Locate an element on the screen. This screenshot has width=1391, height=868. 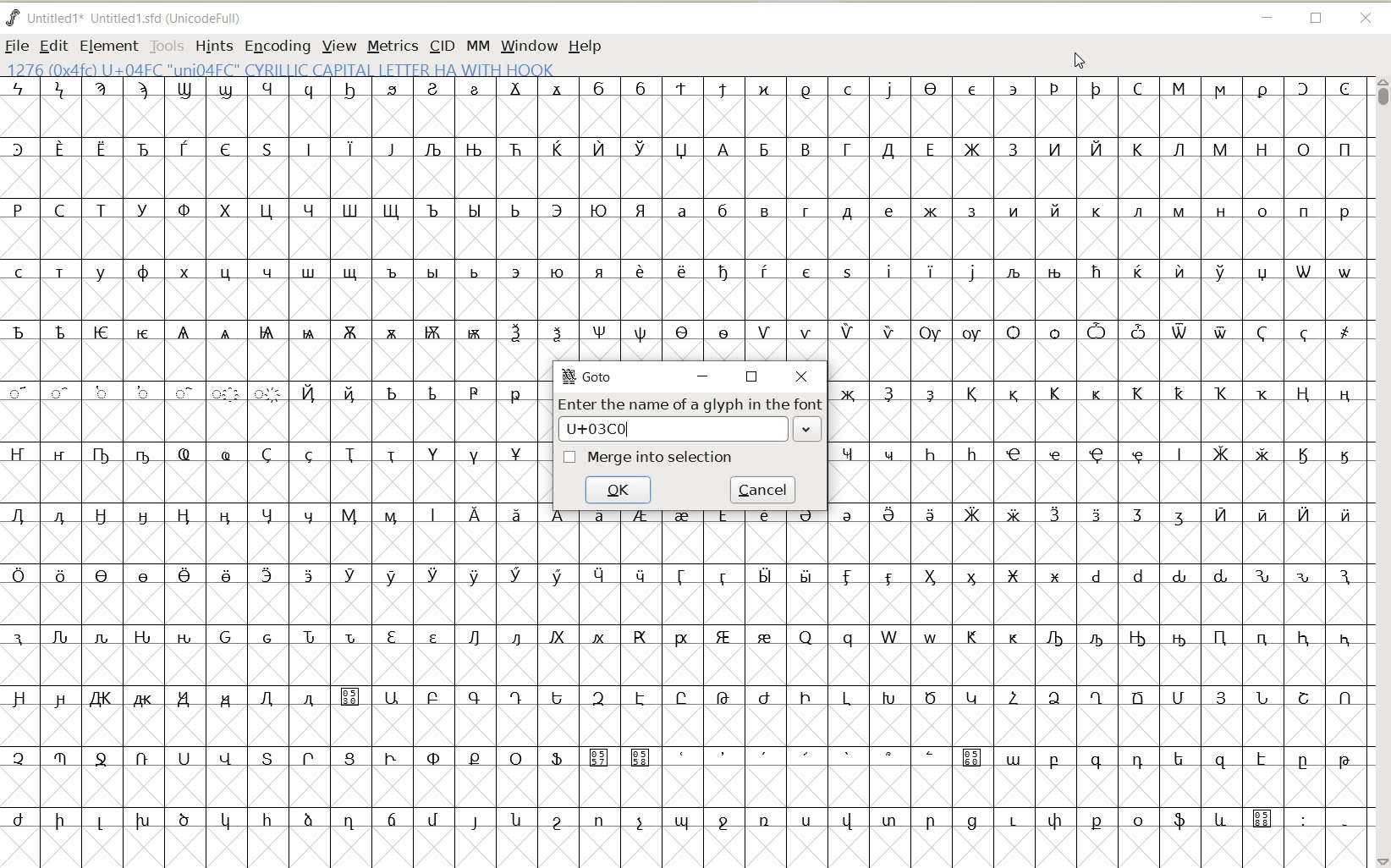
restore is located at coordinates (752, 376).